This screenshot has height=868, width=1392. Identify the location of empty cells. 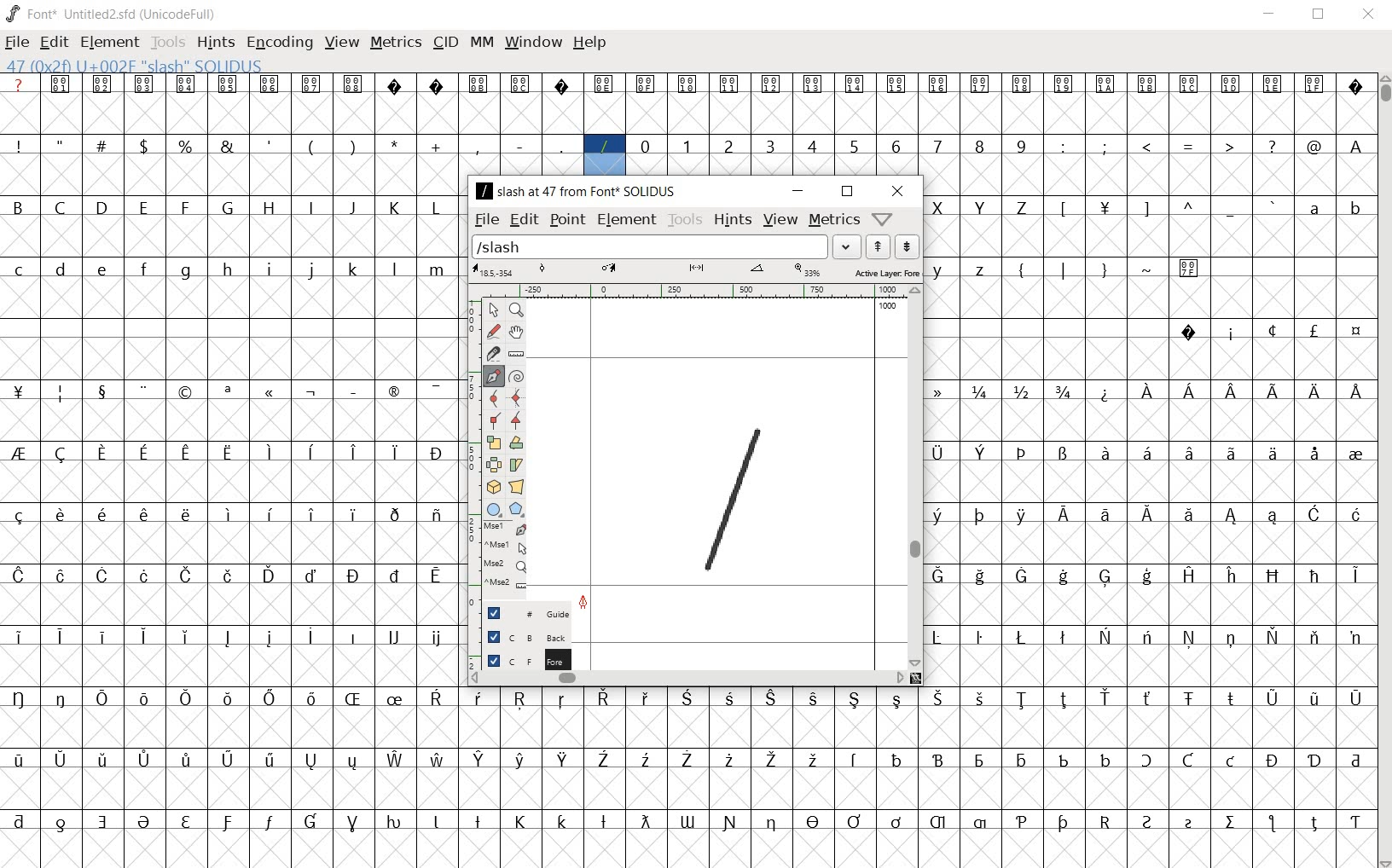
(230, 298).